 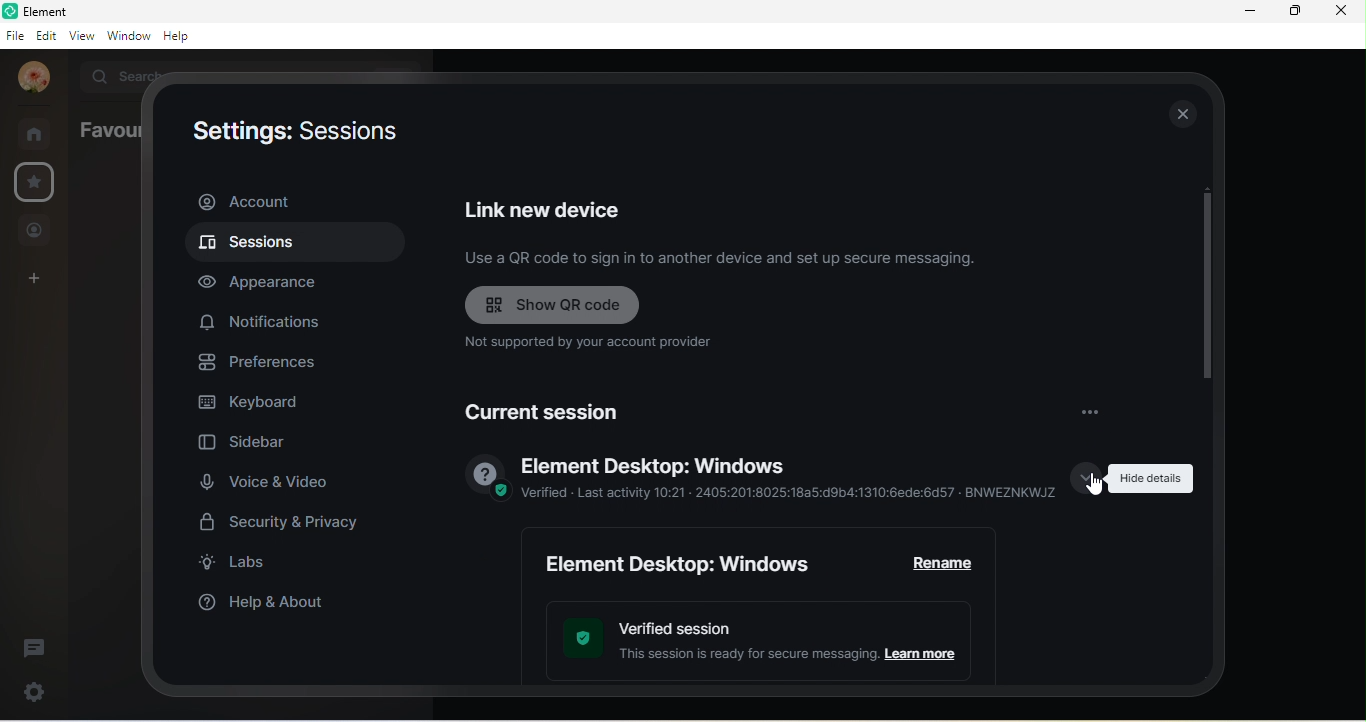 I want to click on element b room, so click(x=76, y=11).